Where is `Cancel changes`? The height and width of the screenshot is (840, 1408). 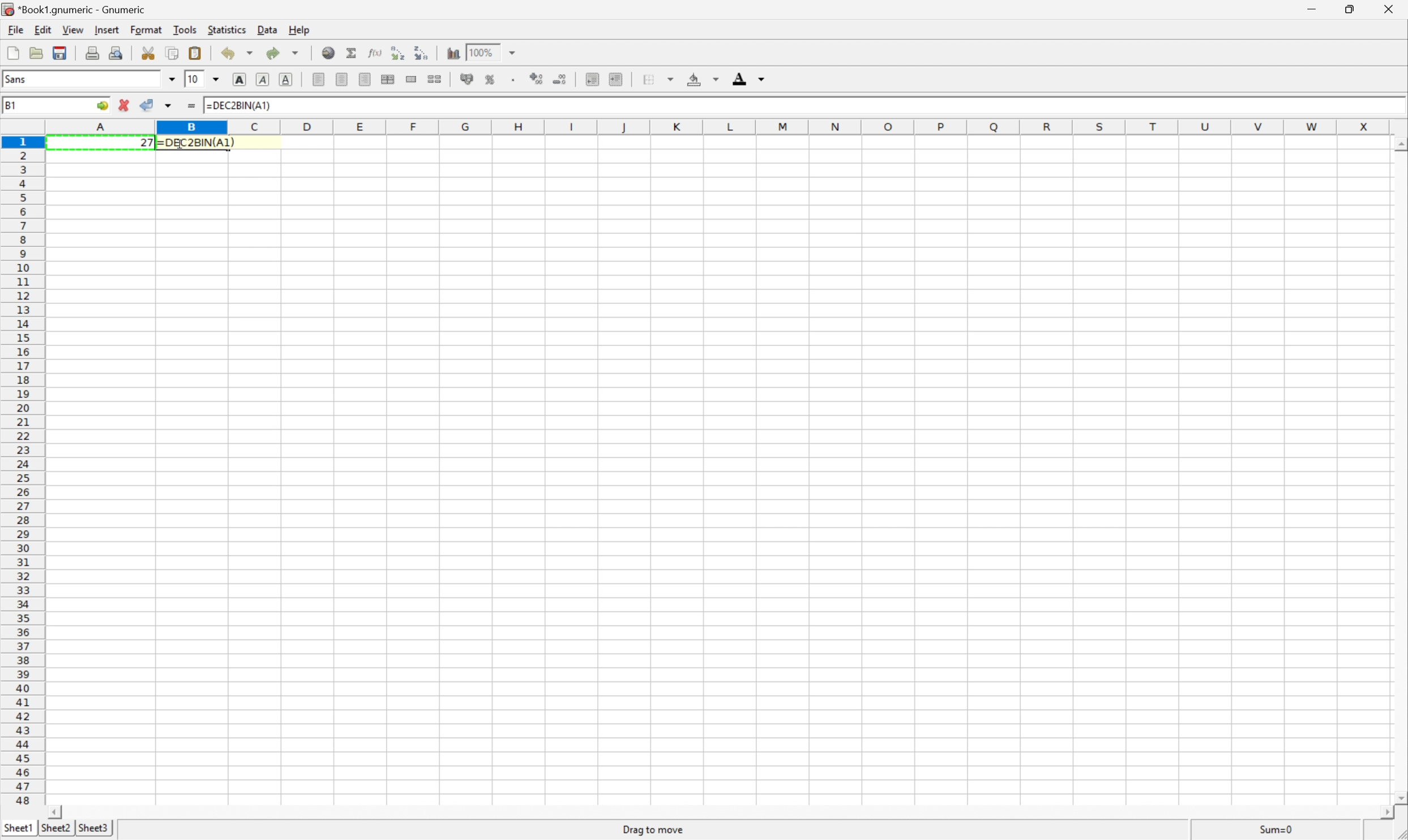 Cancel changes is located at coordinates (126, 104).